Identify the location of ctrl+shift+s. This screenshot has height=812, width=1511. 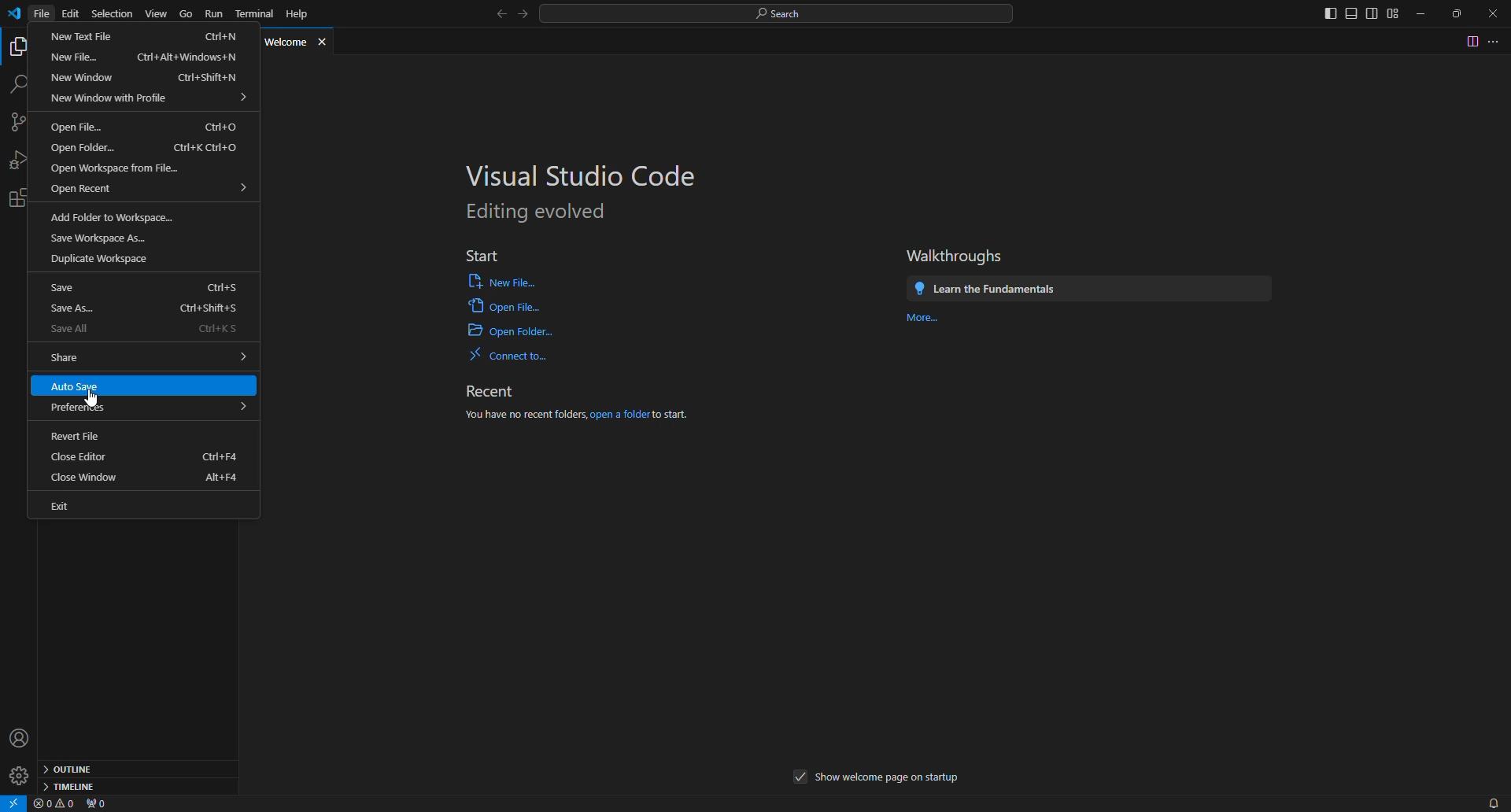
(213, 308).